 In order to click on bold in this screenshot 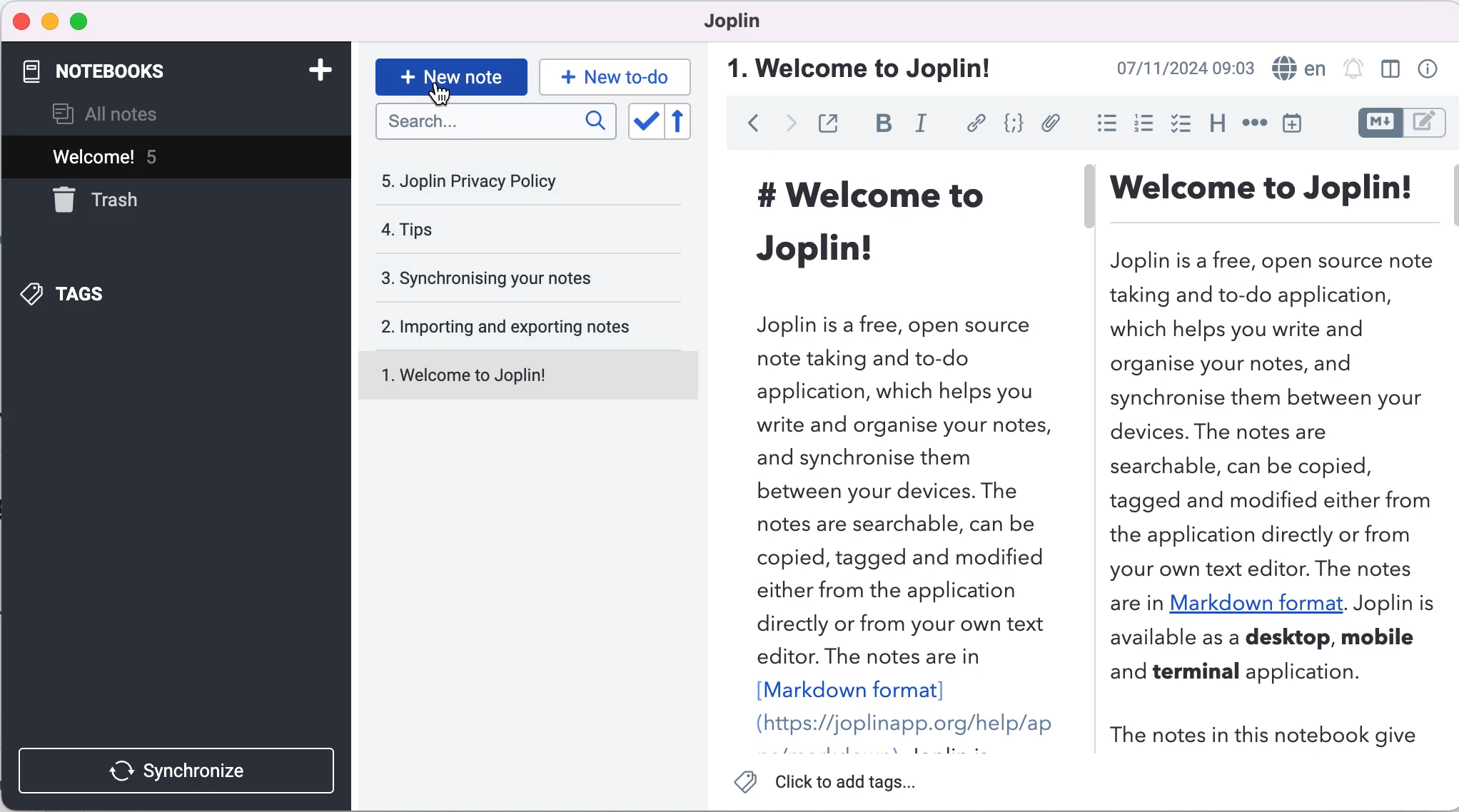, I will do `click(884, 123)`.